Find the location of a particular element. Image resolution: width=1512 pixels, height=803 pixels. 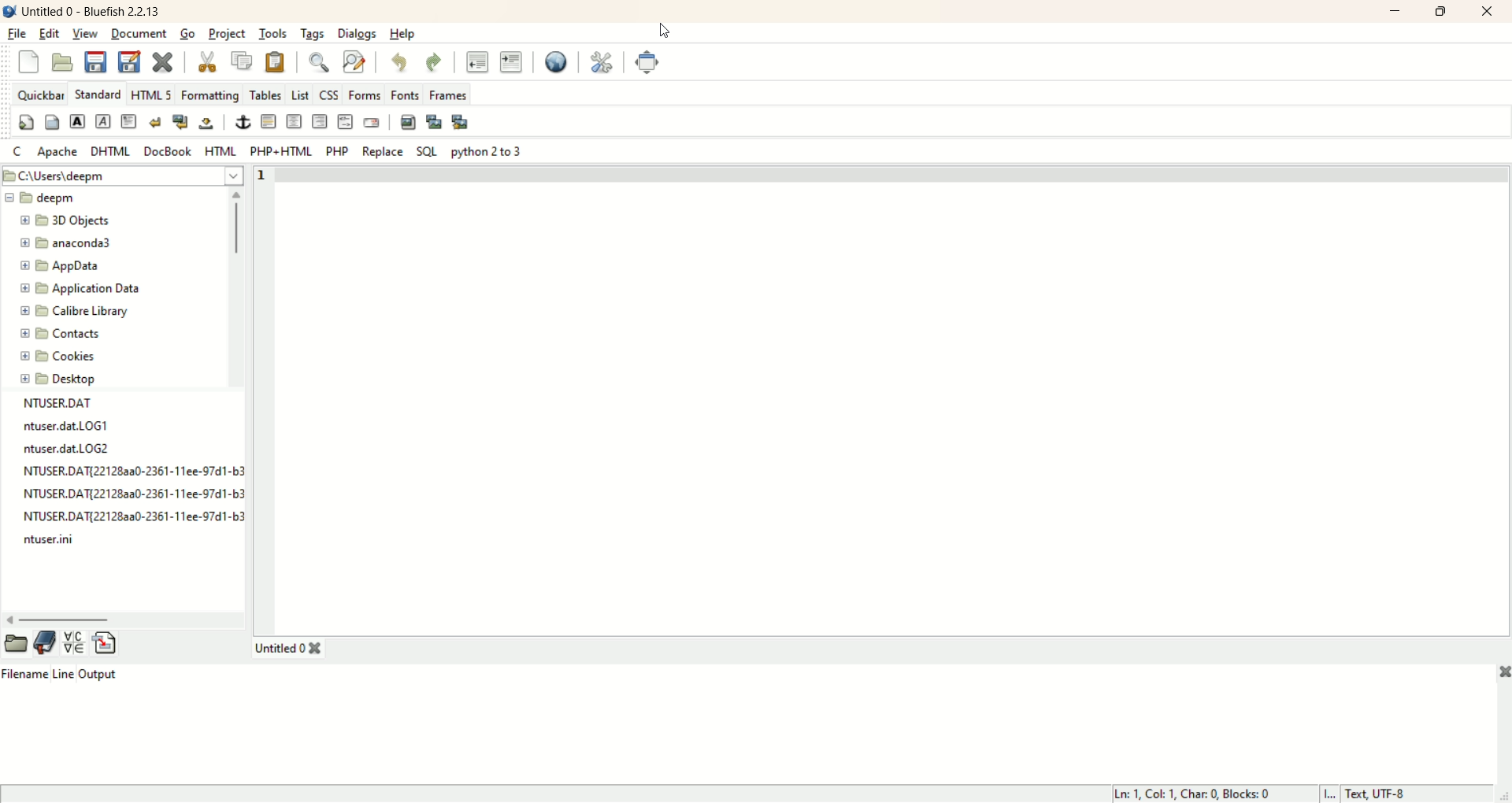

multi-thumbnails is located at coordinates (461, 121).